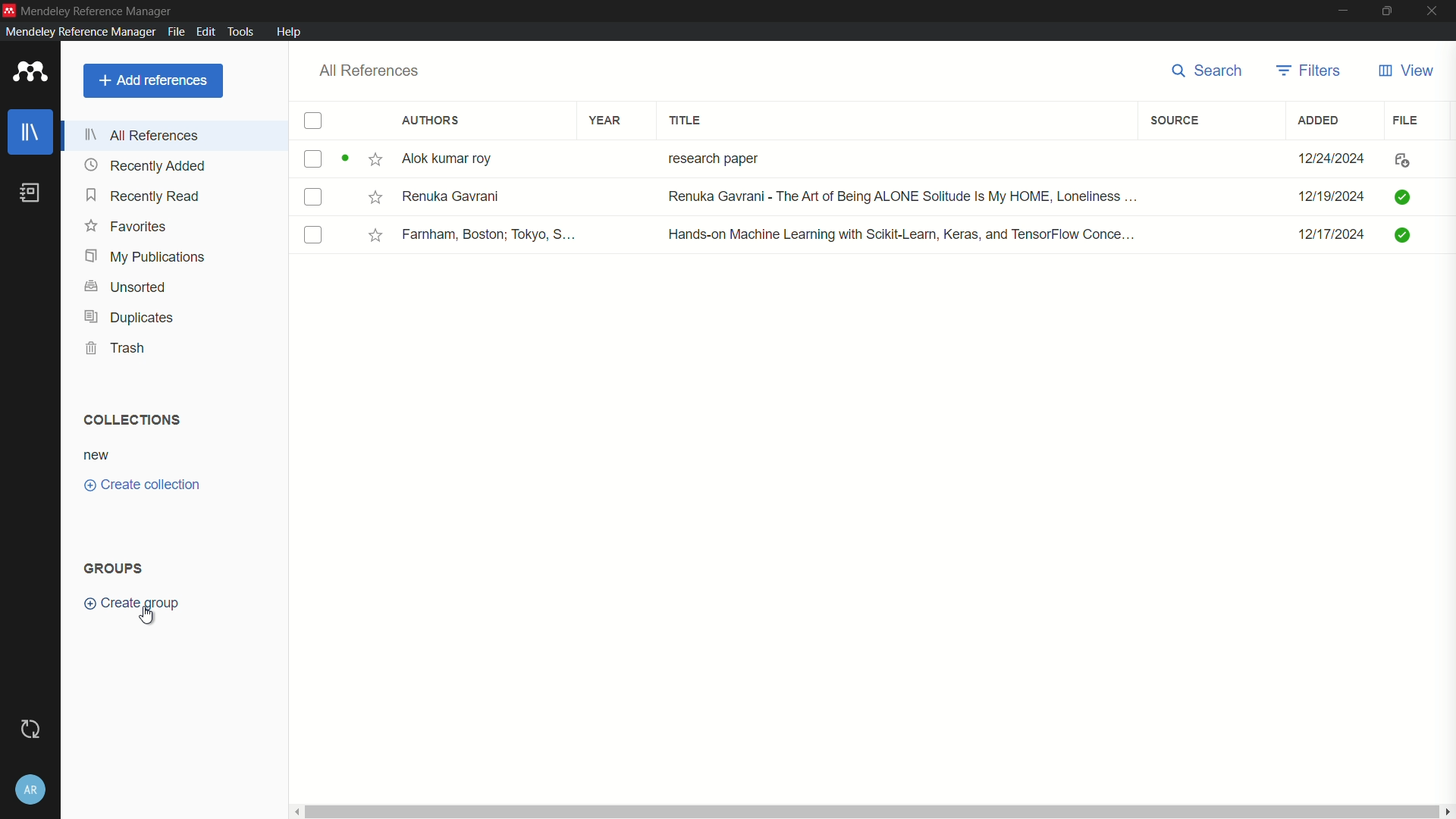  What do you see at coordinates (605, 120) in the screenshot?
I see `year` at bounding box center [605, 120].